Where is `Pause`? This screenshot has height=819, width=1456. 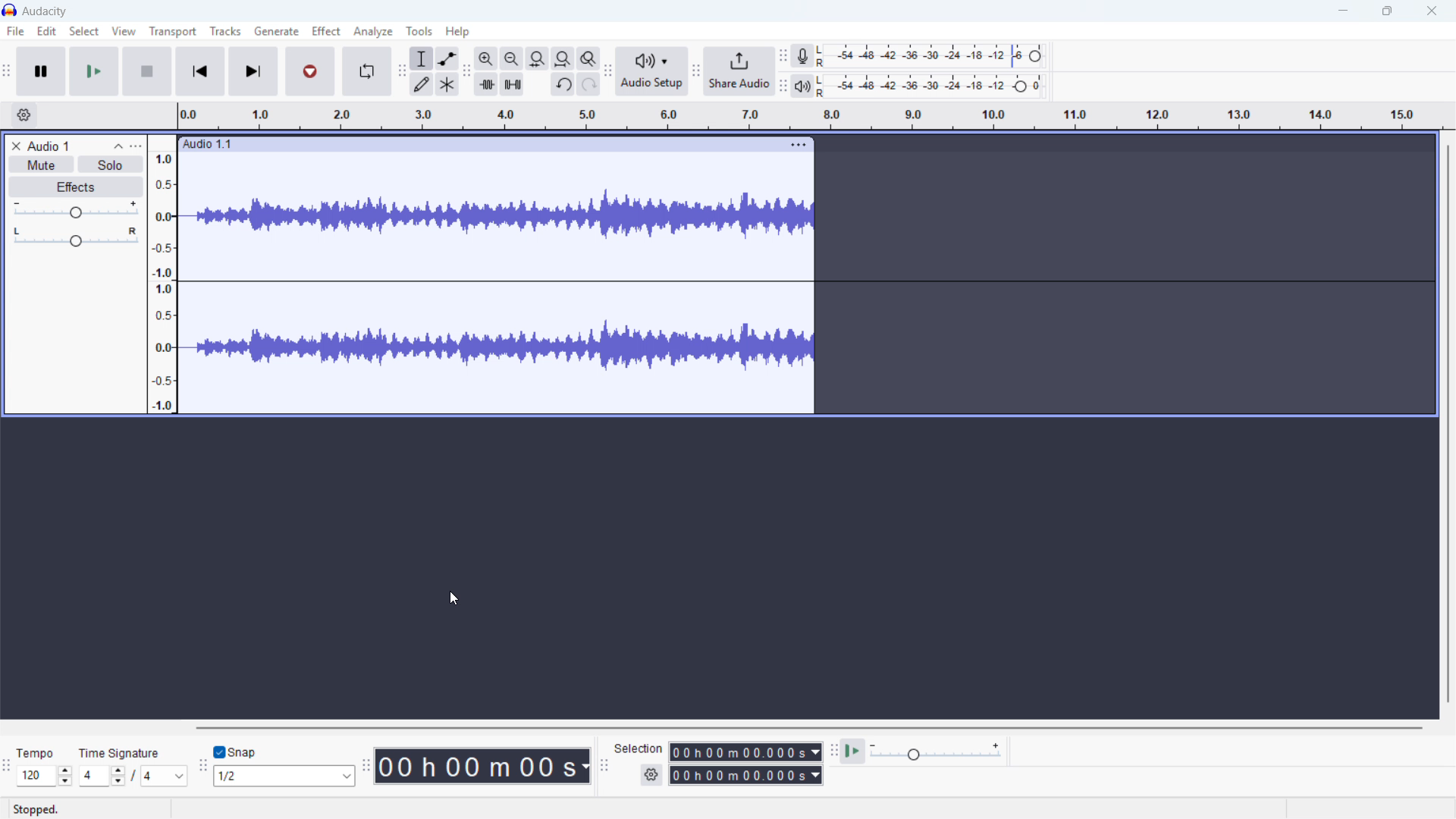 Pause is located at coordinates (41, 71).